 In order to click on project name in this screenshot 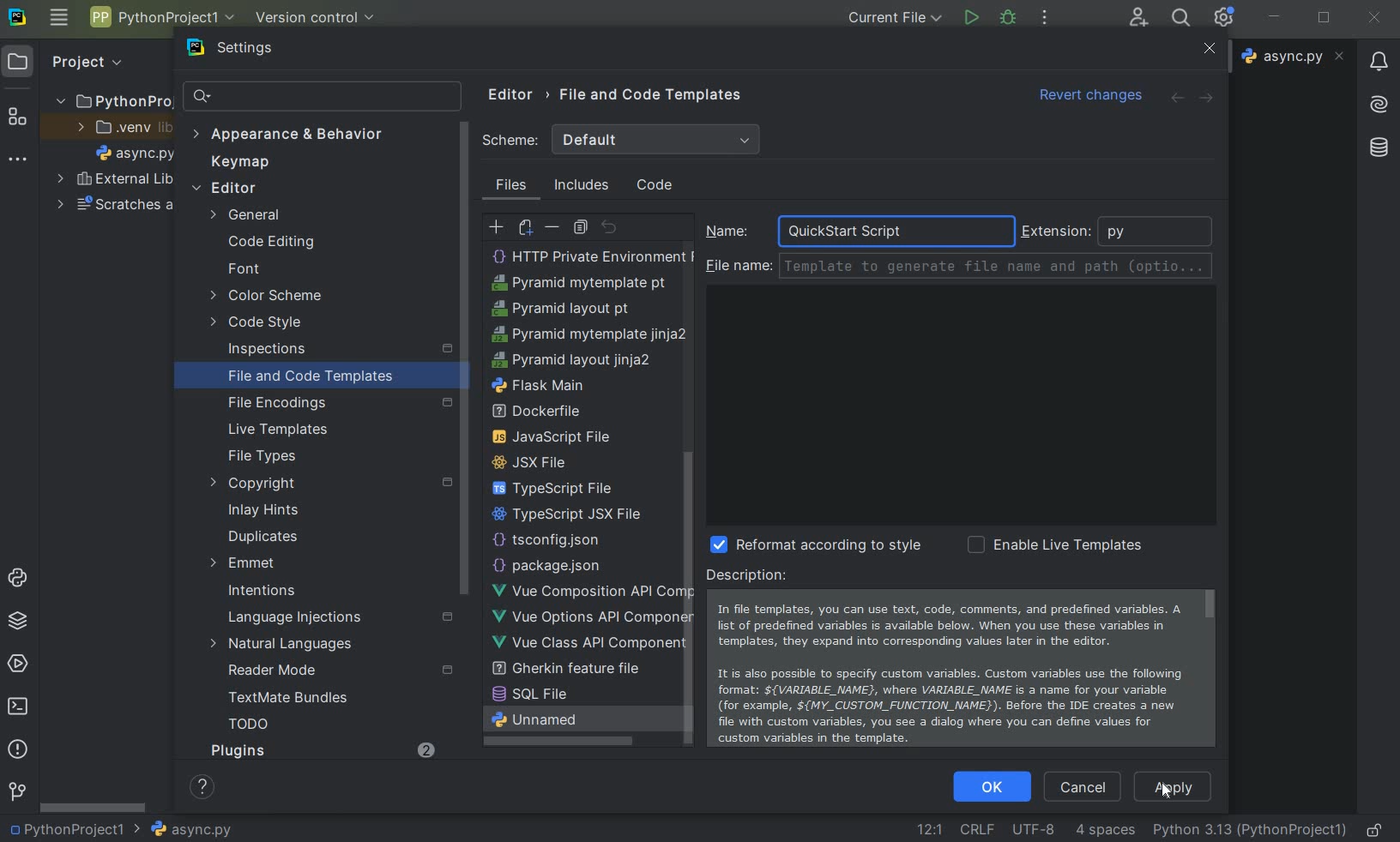, I will do `click(74, 831)`.